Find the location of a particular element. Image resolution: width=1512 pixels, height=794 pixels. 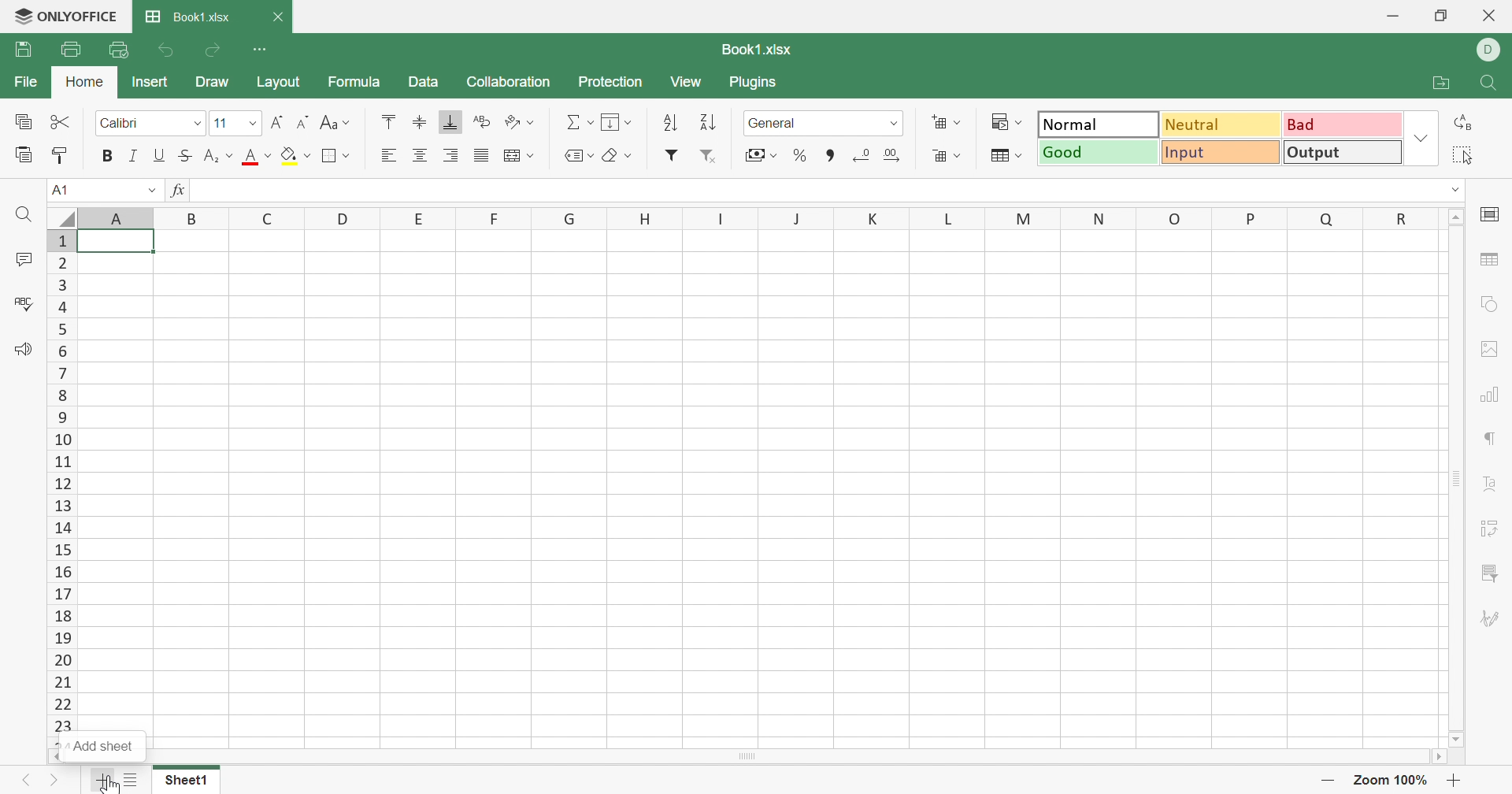

Drop Down is located at coordinates (268, 155).